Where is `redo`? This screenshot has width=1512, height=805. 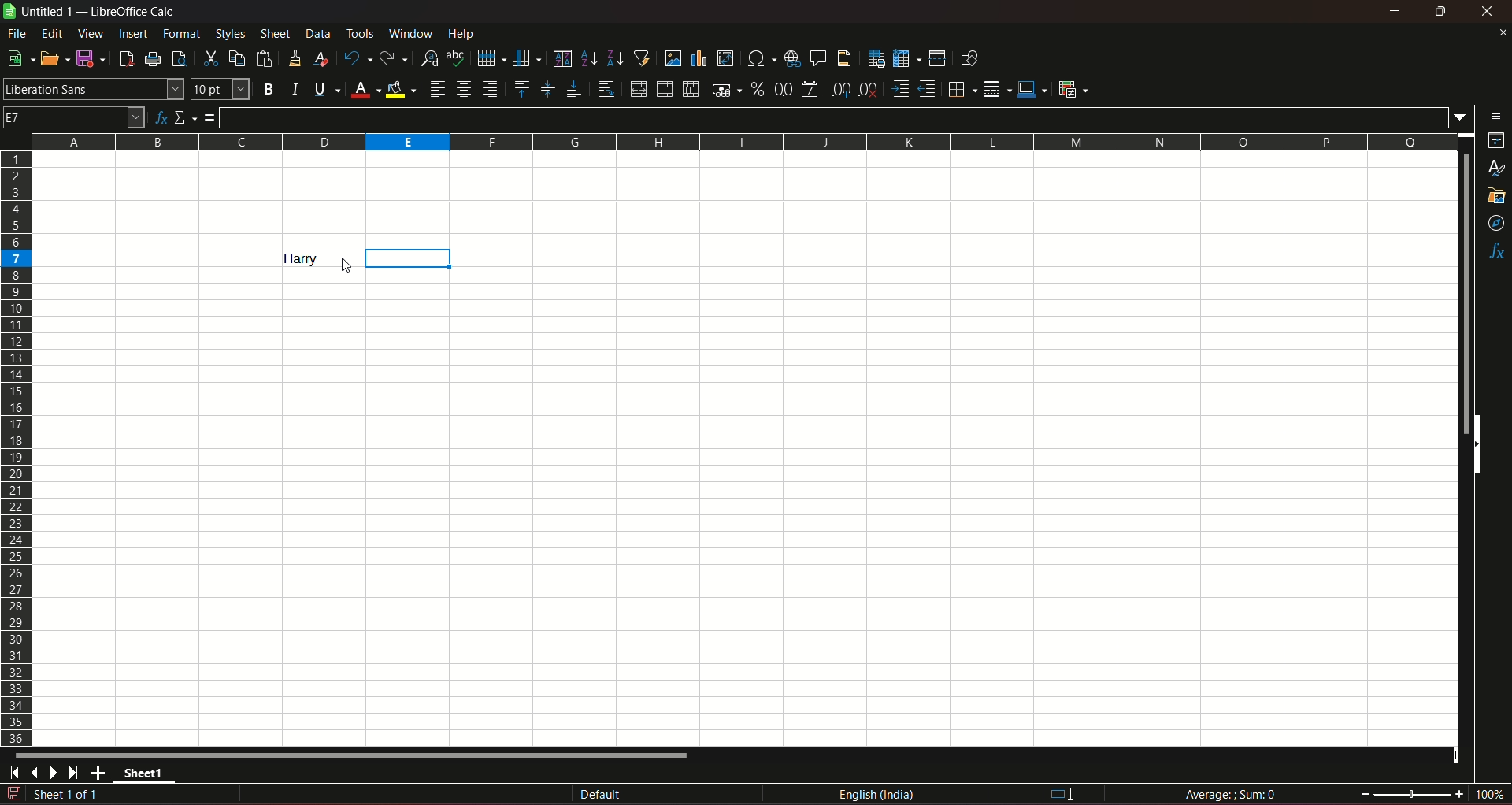 redo is located at coordinates (394, 57).